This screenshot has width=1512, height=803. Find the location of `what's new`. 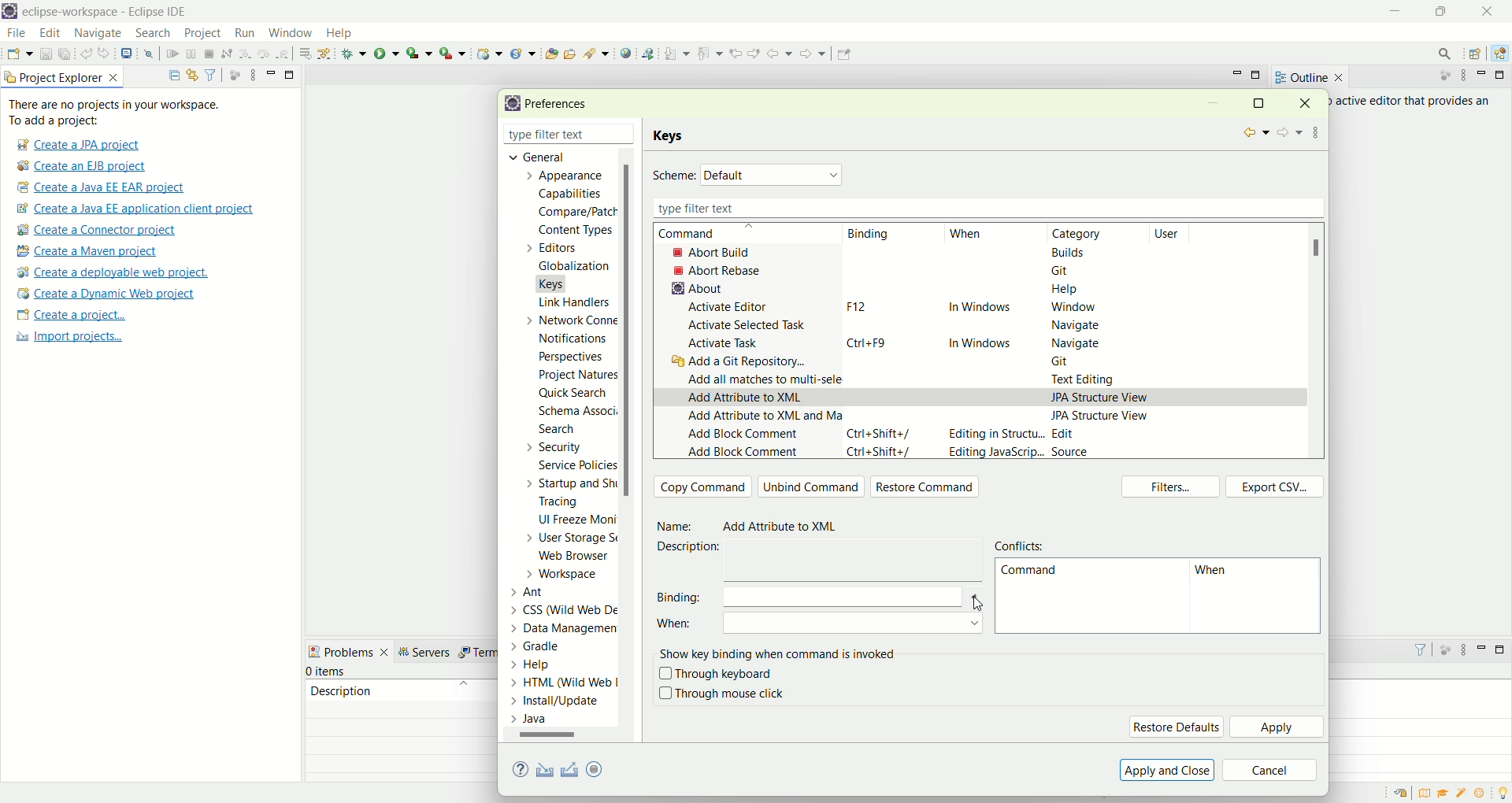

what's new is located at coordinates (1484, 794).